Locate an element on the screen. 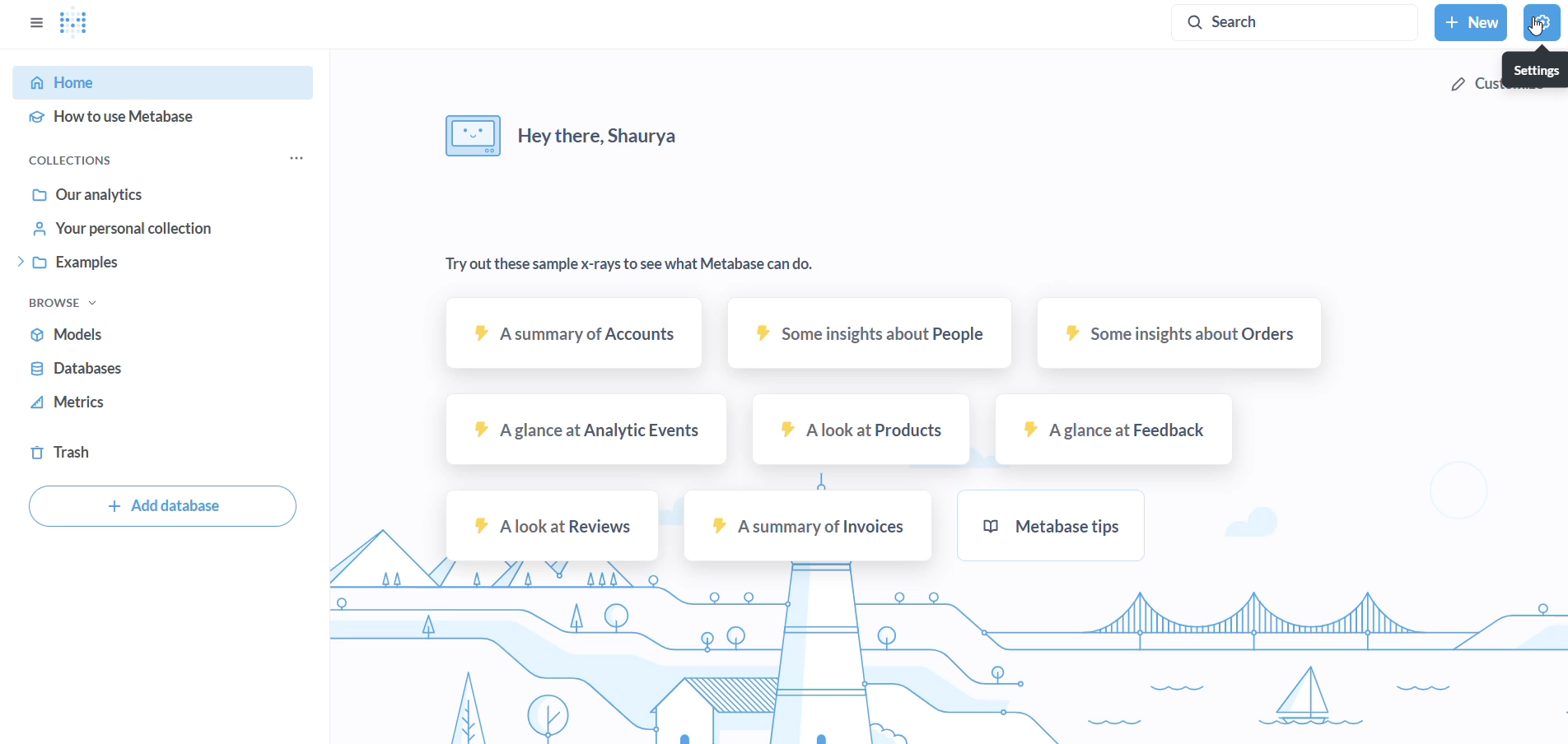 This screenshot has height=744, width=1568. Q Search is located at coordinates (1292, 23).